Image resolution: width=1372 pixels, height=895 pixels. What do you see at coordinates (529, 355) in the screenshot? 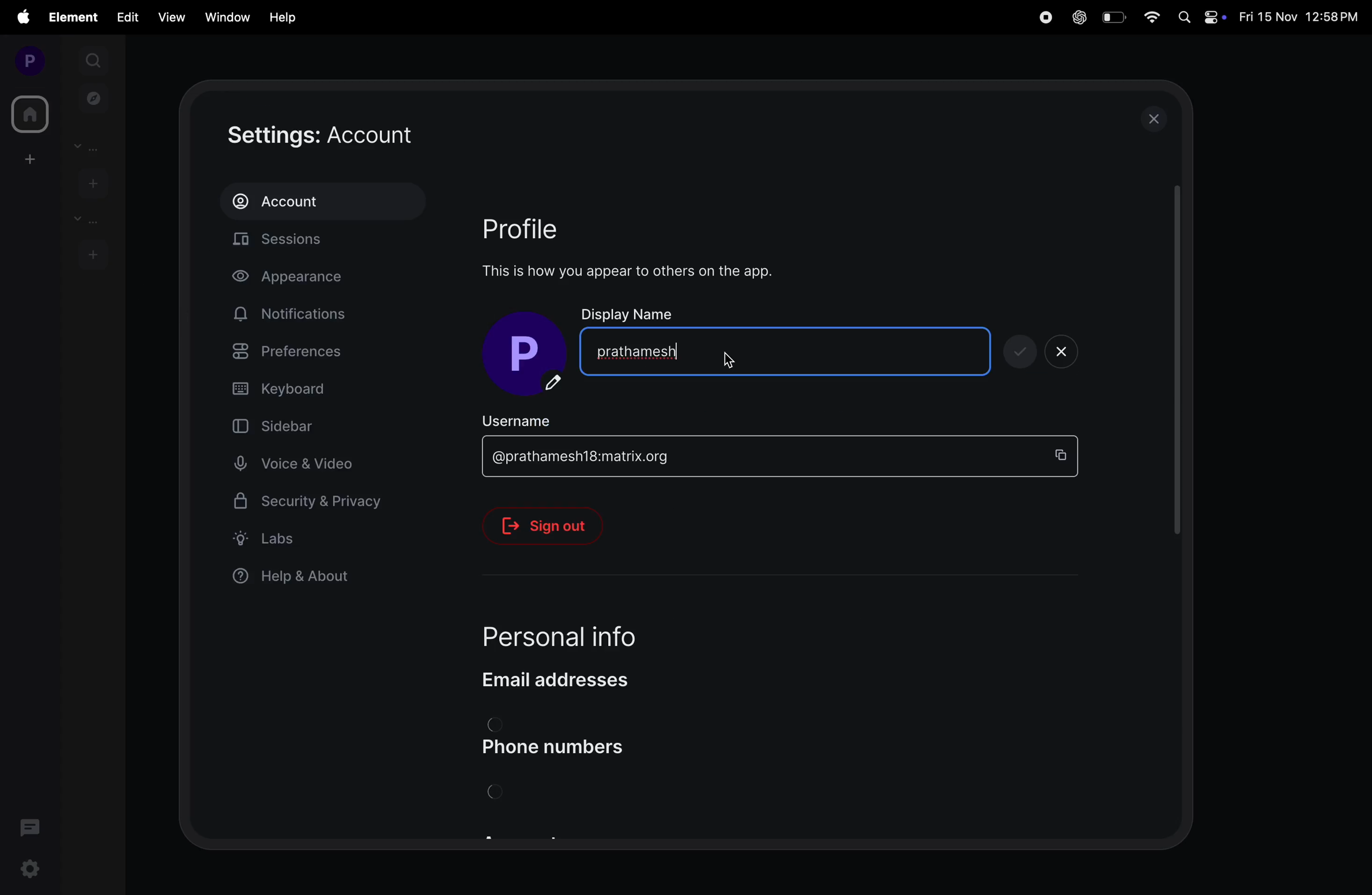
I see `profile name` at bounding box center [529, 355].